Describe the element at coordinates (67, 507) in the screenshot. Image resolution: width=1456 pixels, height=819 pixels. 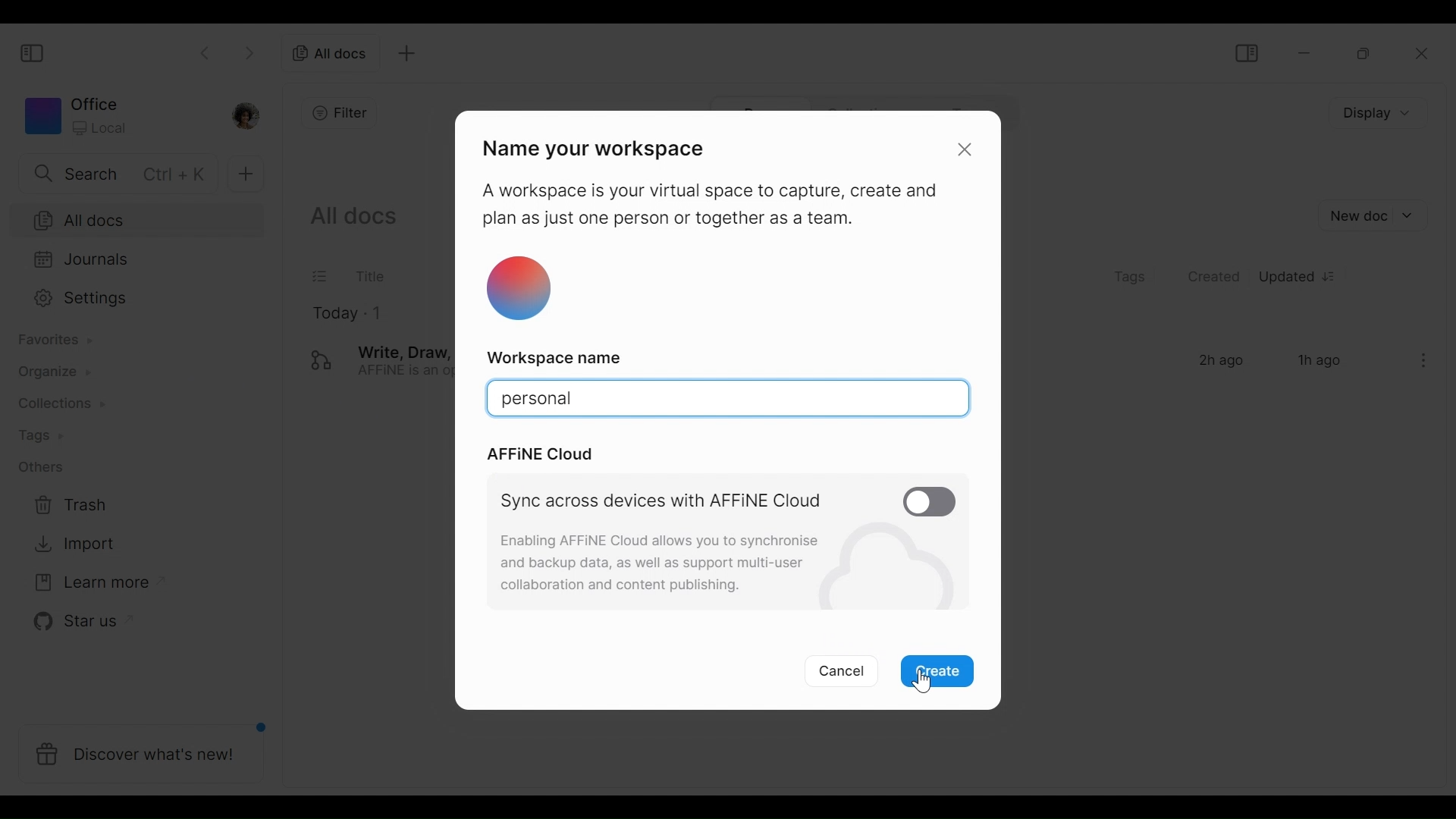
I see `Trash` at that location.